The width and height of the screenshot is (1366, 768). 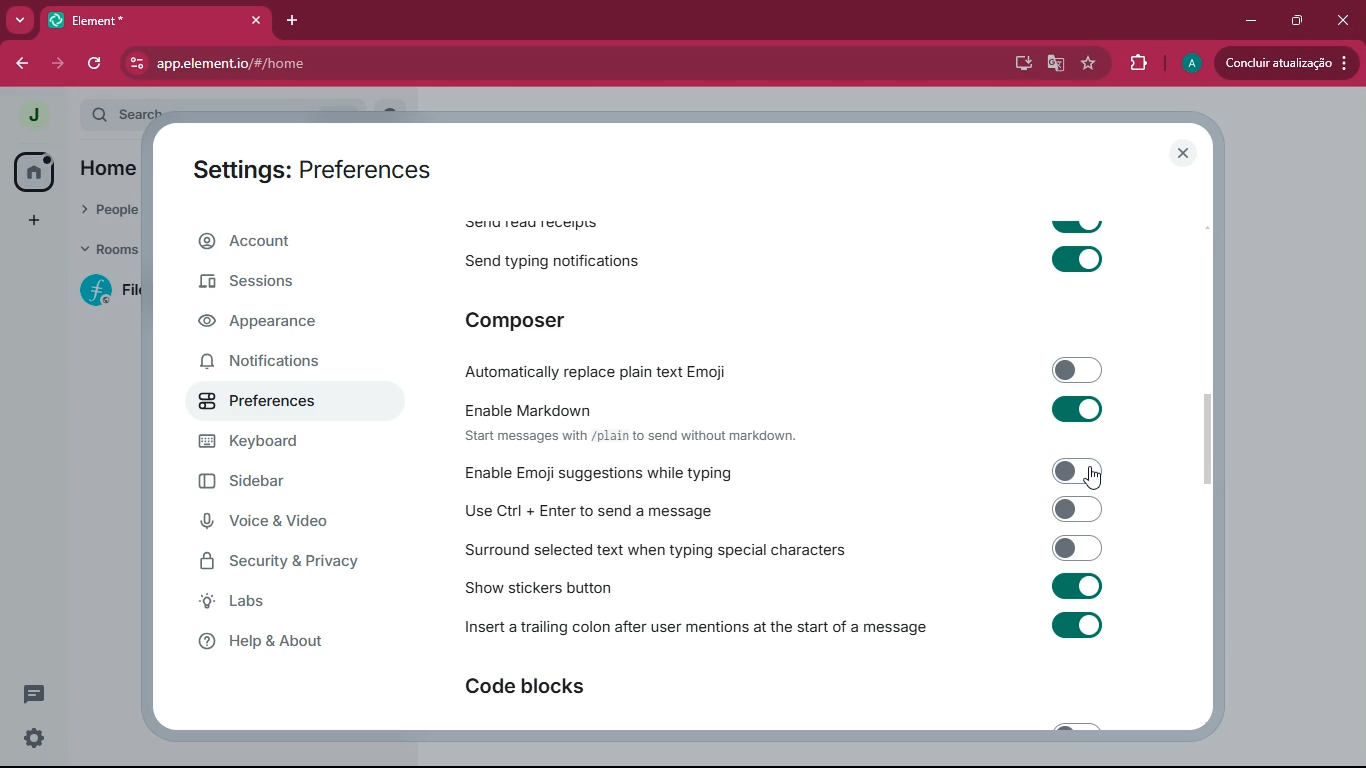 What do you see at coordinates (277, 444) in the screenshot?
I see `keyboard` at bounding box center [277, 444].